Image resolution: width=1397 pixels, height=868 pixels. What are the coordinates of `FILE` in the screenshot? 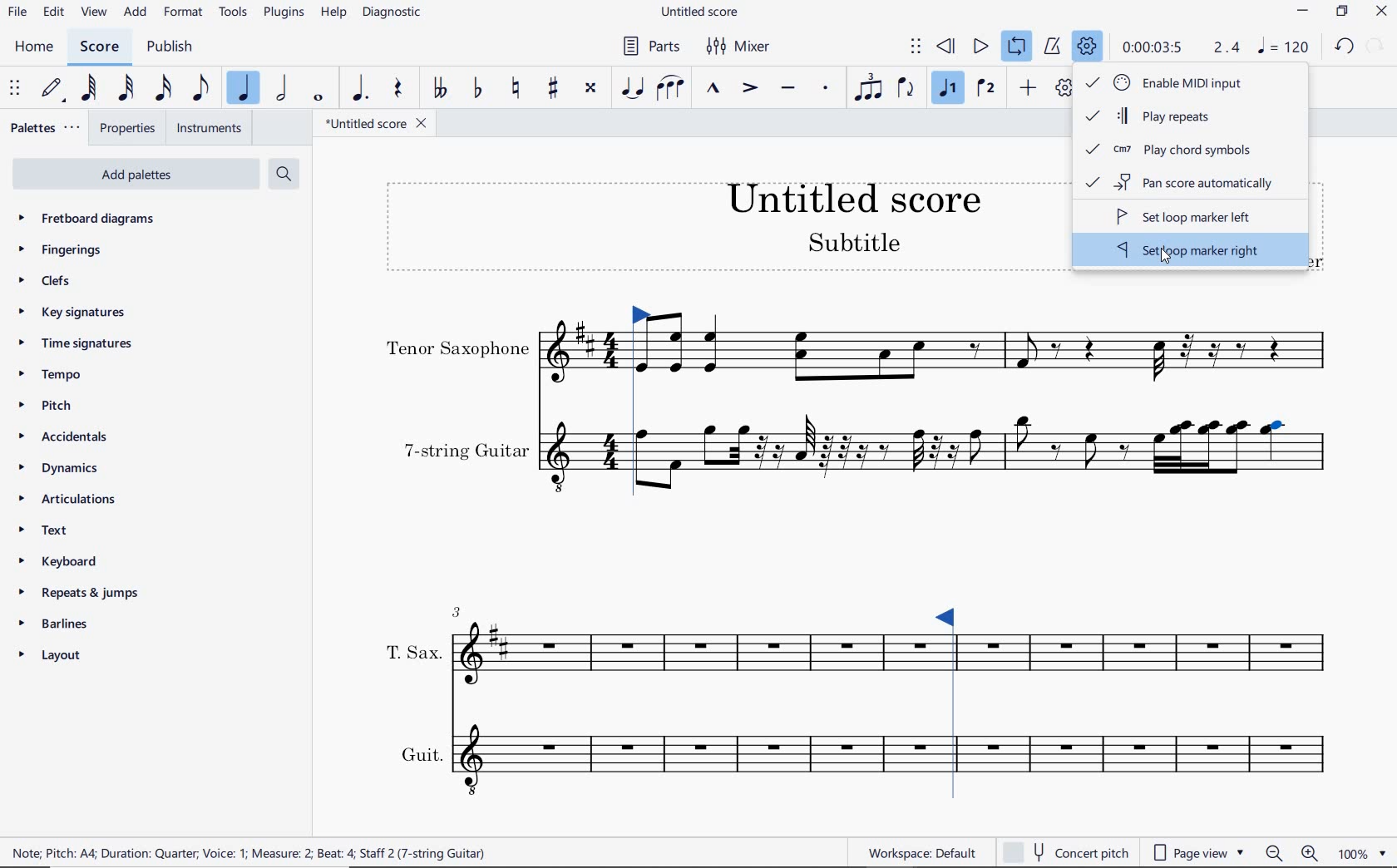 It's located at (18, 14).